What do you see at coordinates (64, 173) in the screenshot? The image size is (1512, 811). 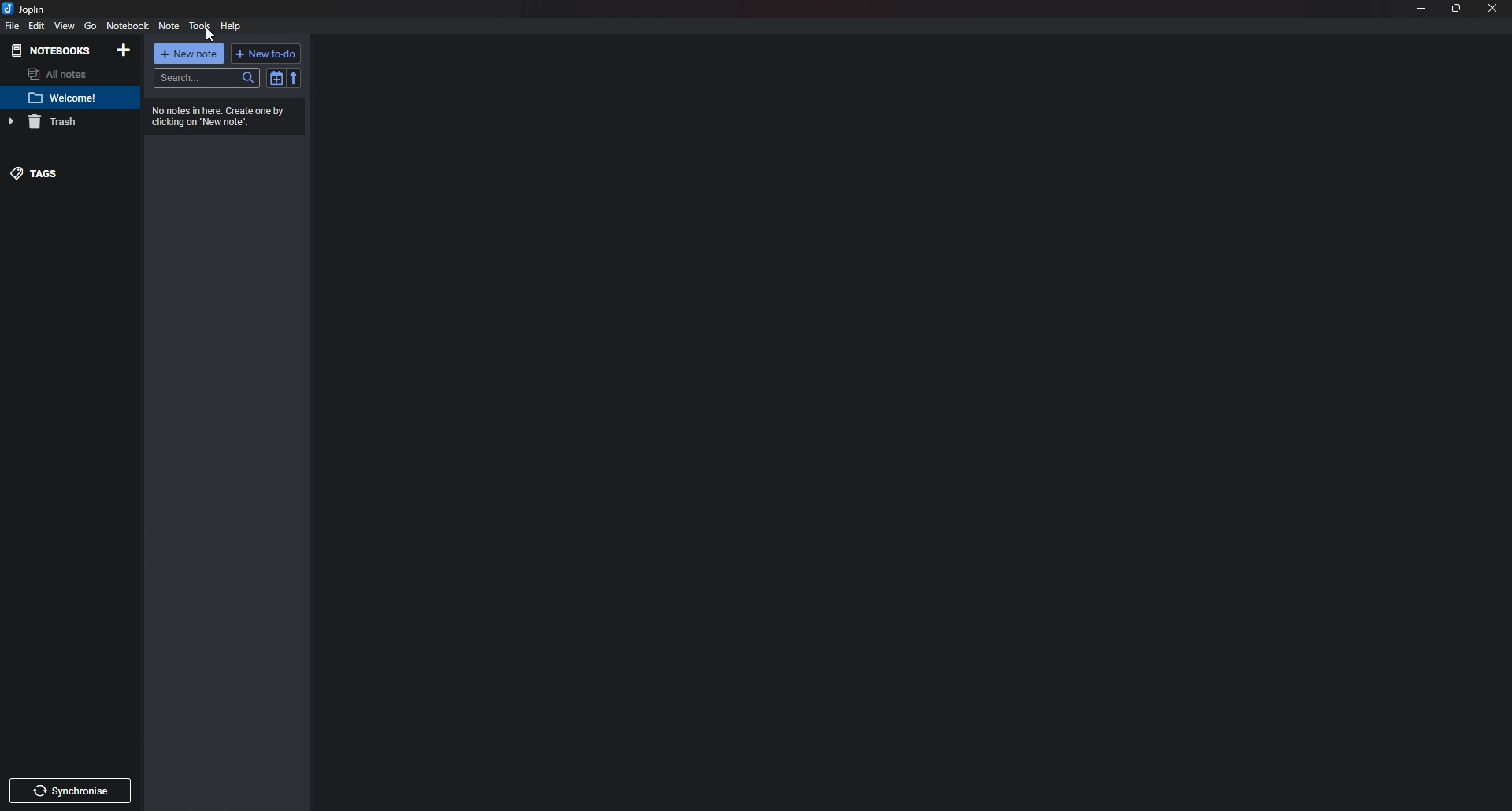 I see `tags` at bounding box center [64, 173].